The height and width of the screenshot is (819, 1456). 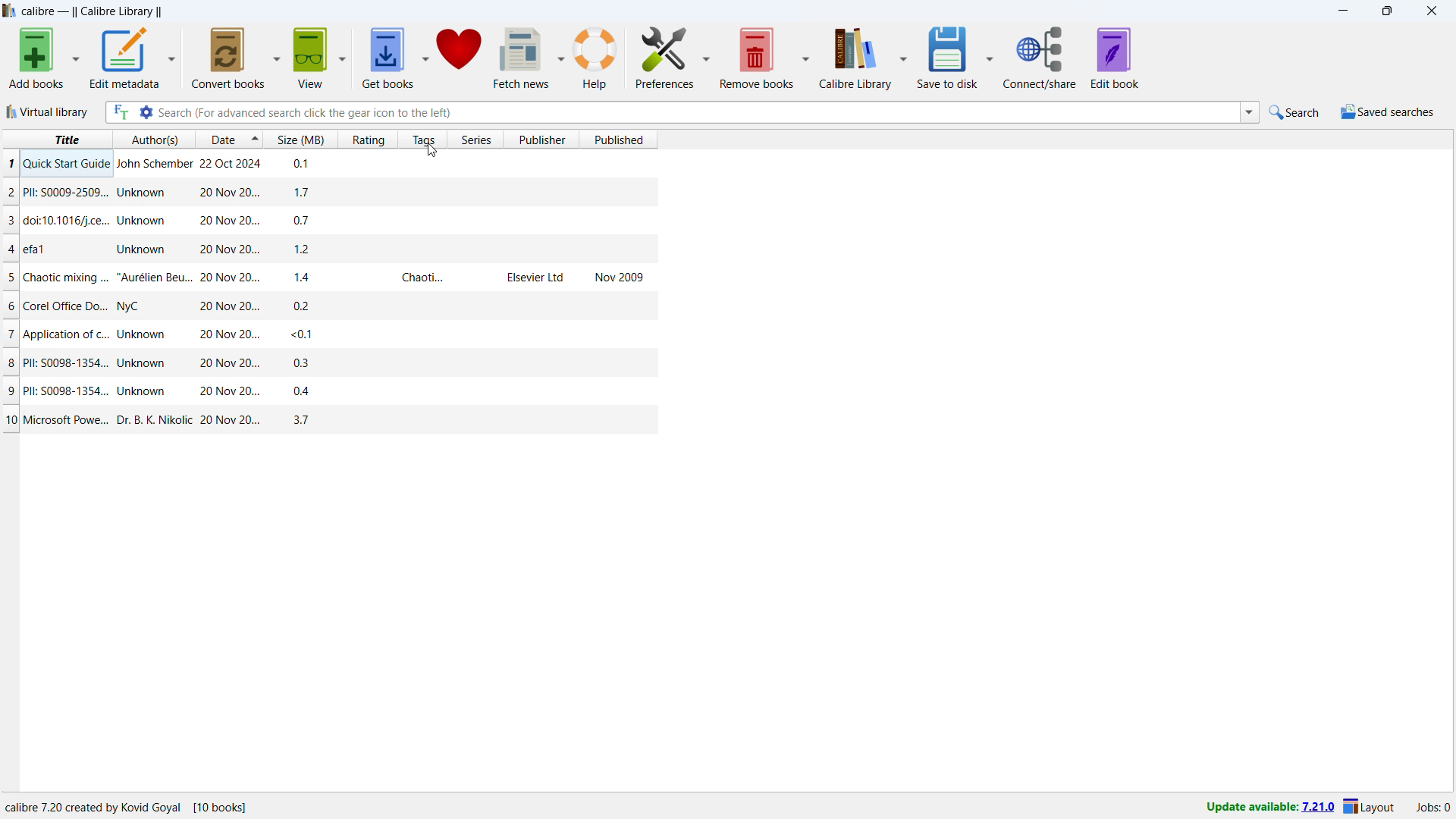 What do you see at coordinates (171, 58) in the screenshot?
I see `edit metadata options` at bounding box center [171, 58].